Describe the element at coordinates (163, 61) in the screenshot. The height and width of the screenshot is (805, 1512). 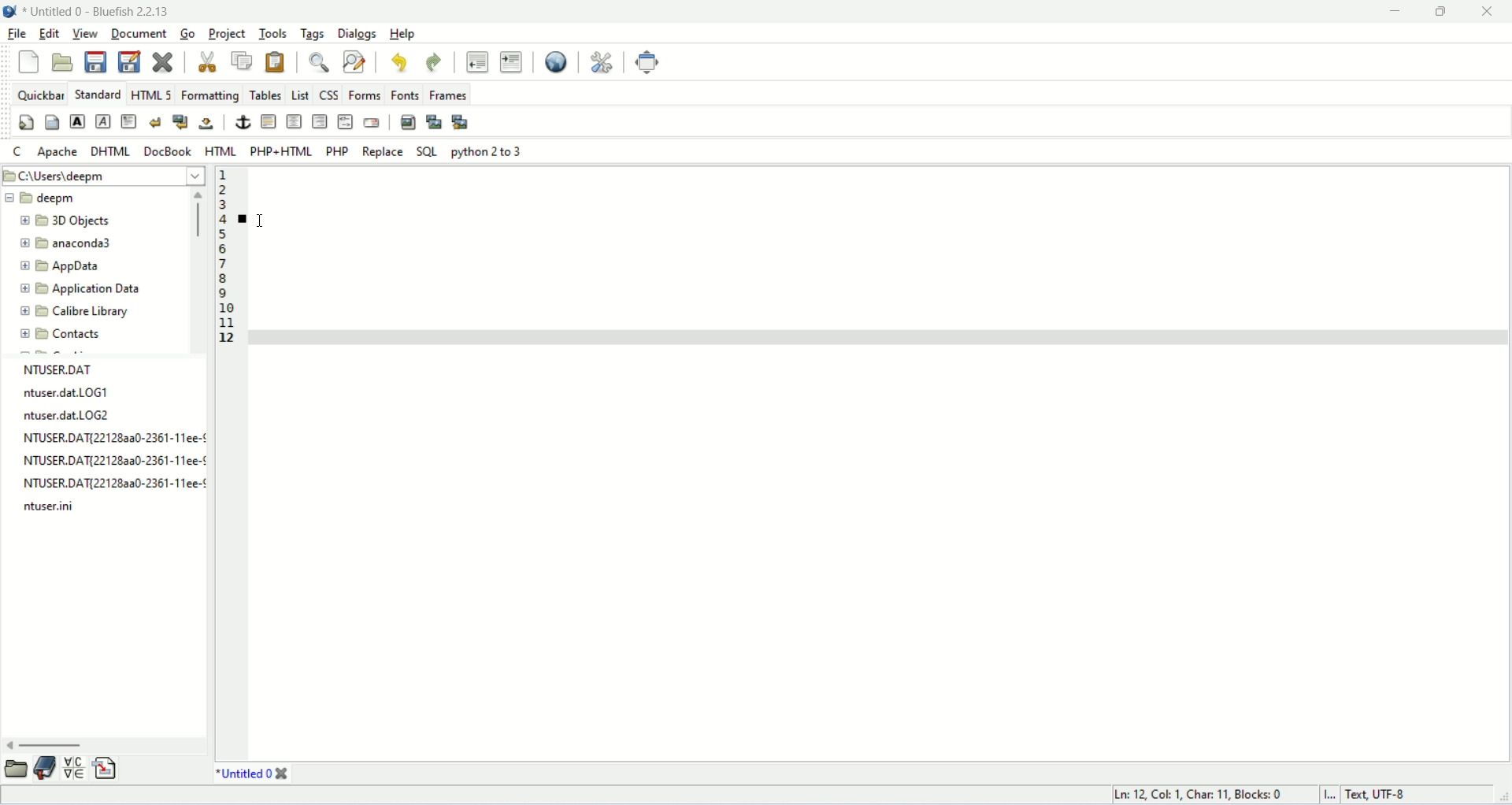
I see `close current file` at that location.